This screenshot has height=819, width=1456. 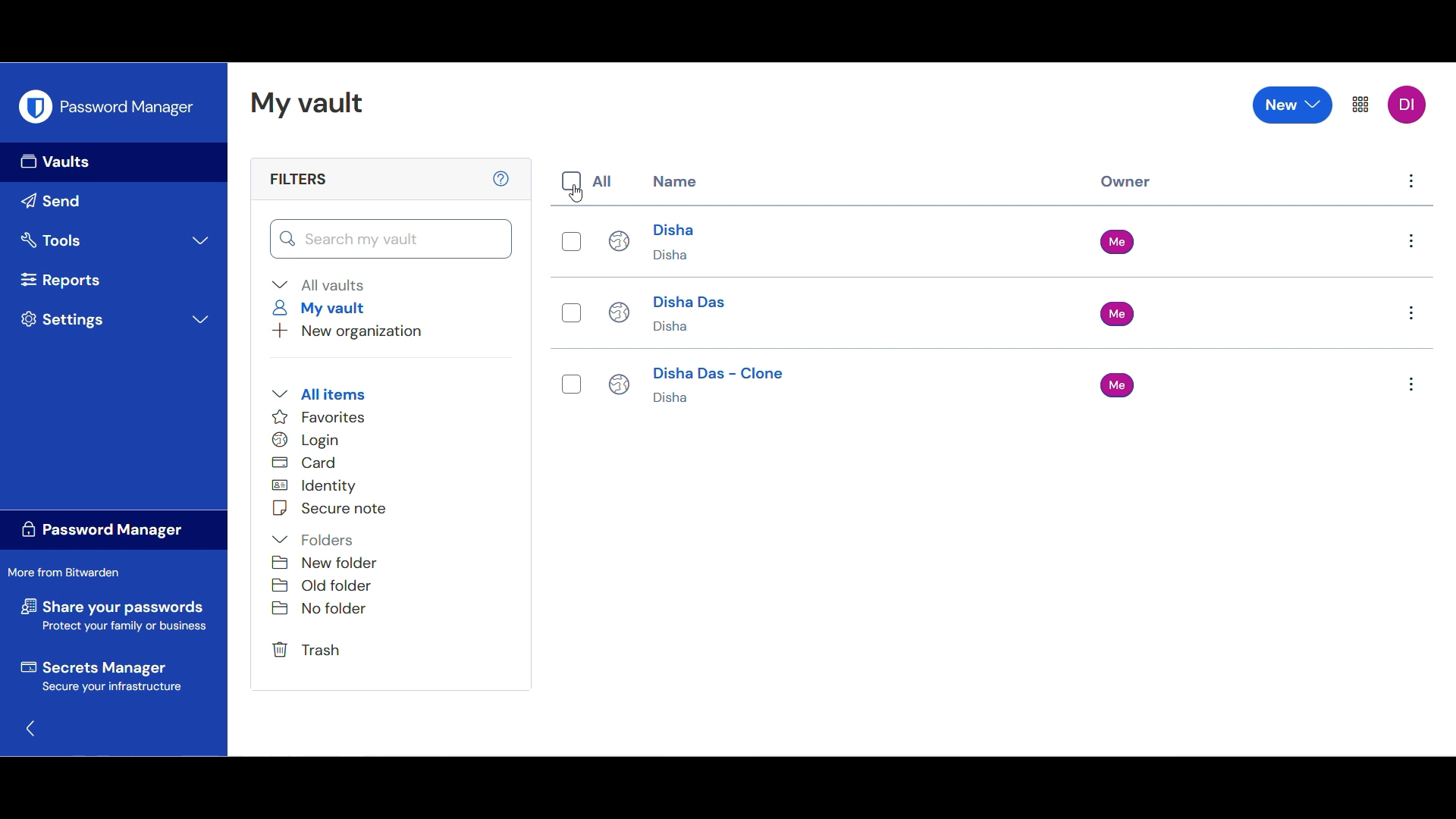 What do you see at coordinates (325, 563) in the screenshot?
I see `New folder` at bounding box center [325, 563].